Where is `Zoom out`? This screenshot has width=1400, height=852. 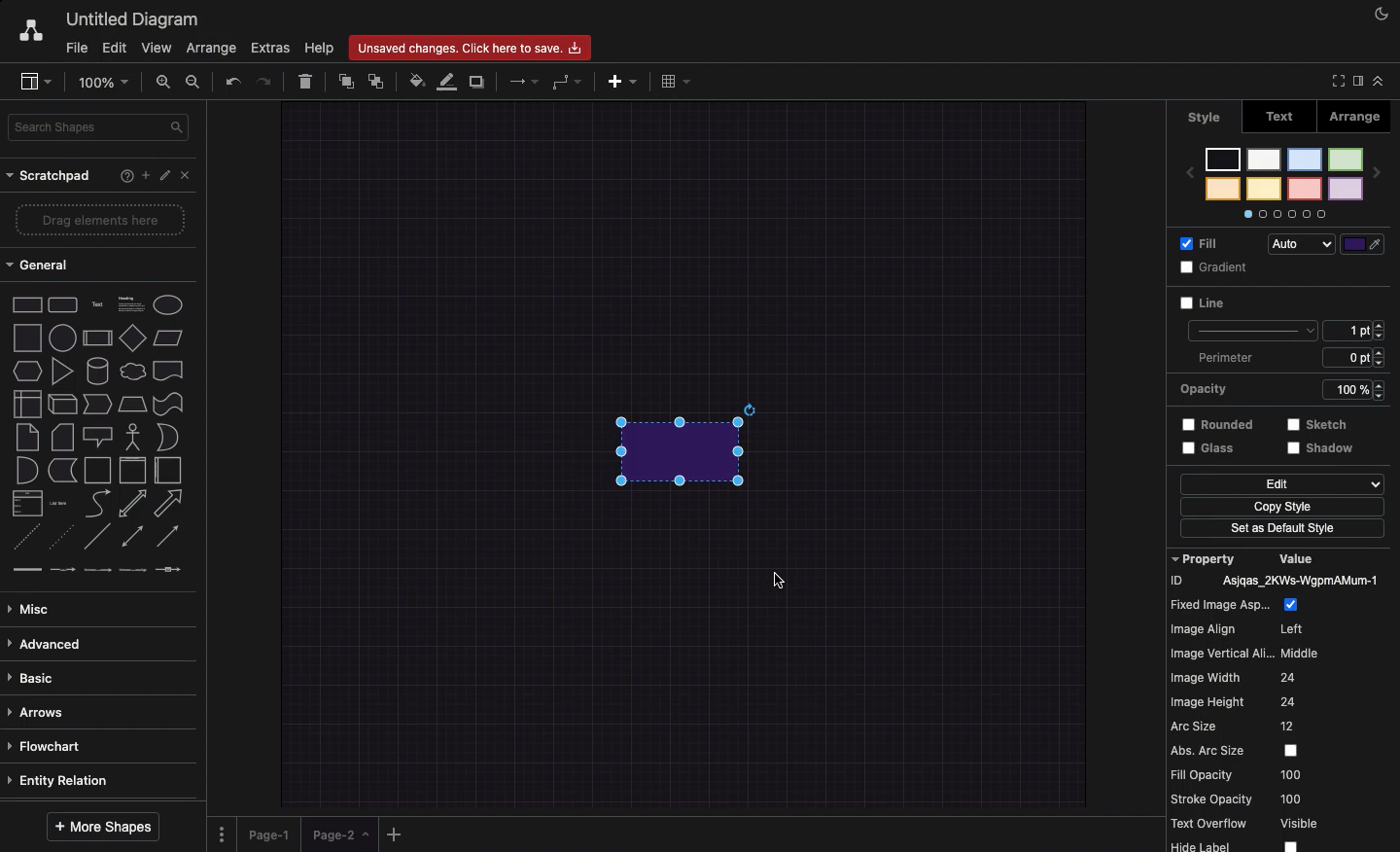
Zoom out is located at coordinates (194, 83).